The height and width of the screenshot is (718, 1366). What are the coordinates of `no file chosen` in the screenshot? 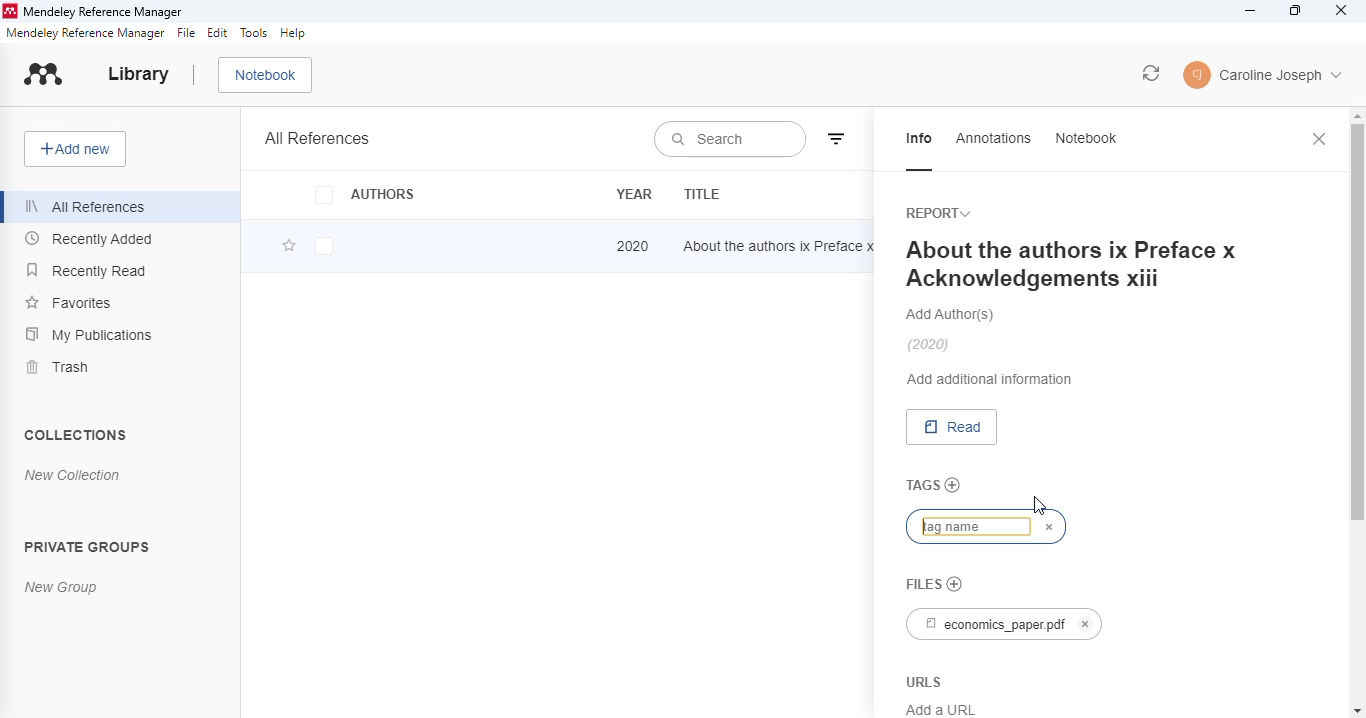 It's located at (954, 583).